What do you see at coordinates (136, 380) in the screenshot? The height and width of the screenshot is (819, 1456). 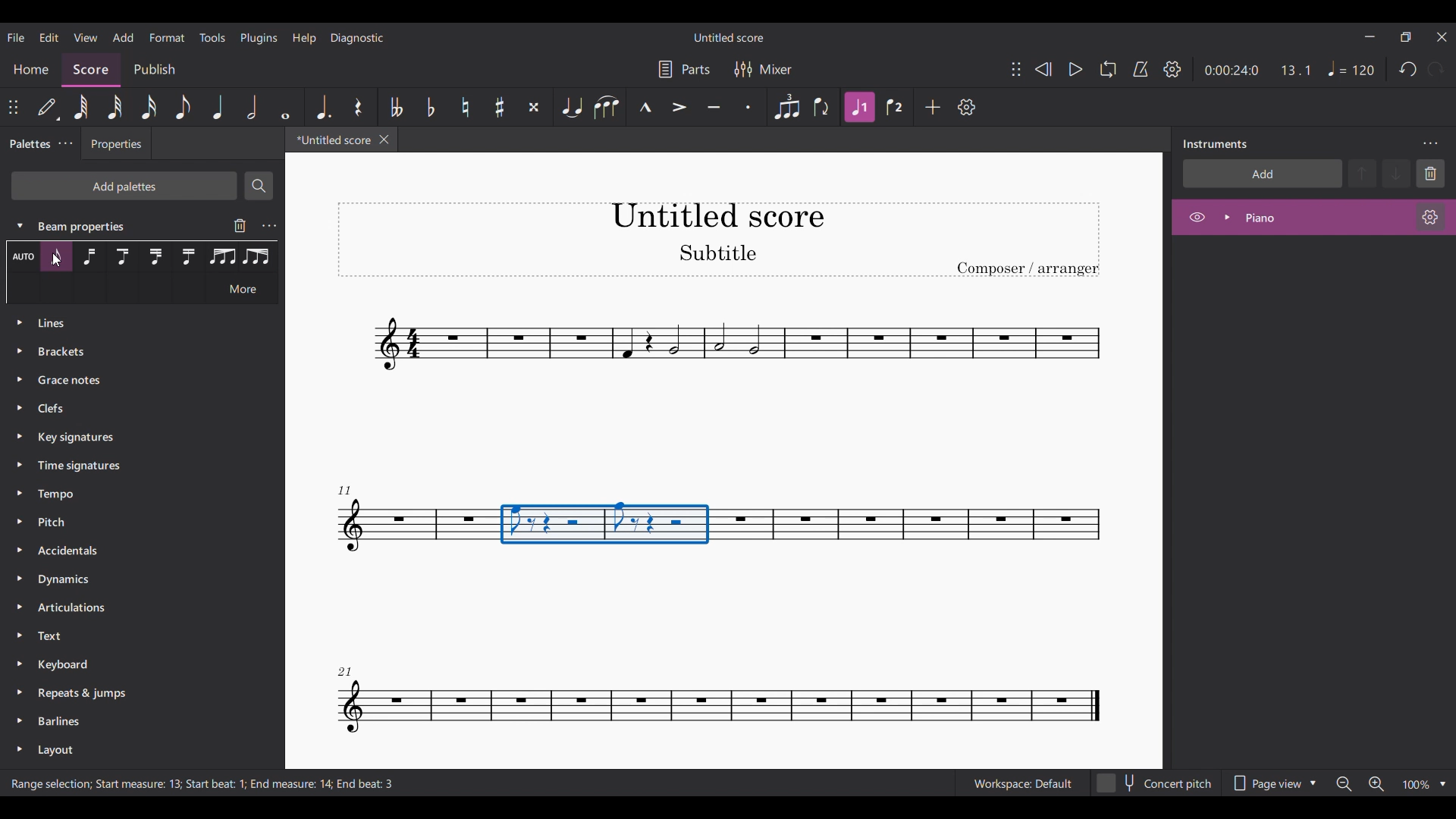 I see `Grace notes` at bounding box center [136, 380].